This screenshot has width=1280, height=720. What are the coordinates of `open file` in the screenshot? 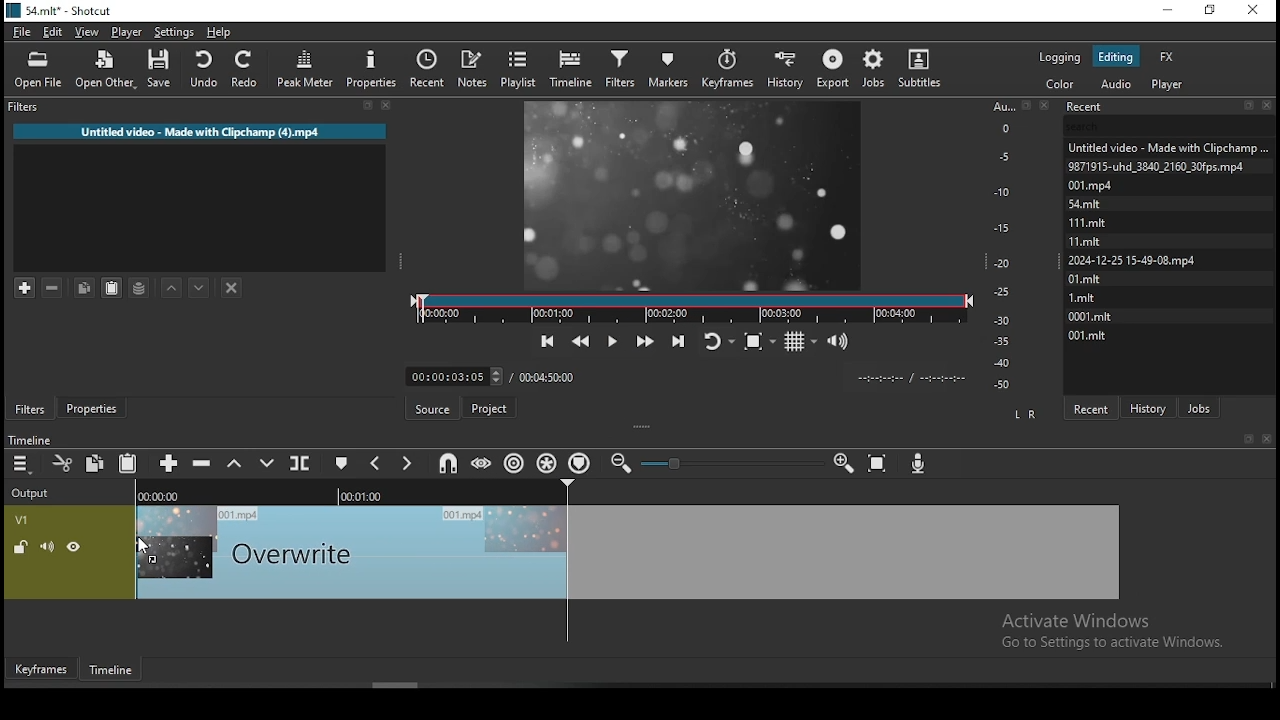 It's located at (38, 69).